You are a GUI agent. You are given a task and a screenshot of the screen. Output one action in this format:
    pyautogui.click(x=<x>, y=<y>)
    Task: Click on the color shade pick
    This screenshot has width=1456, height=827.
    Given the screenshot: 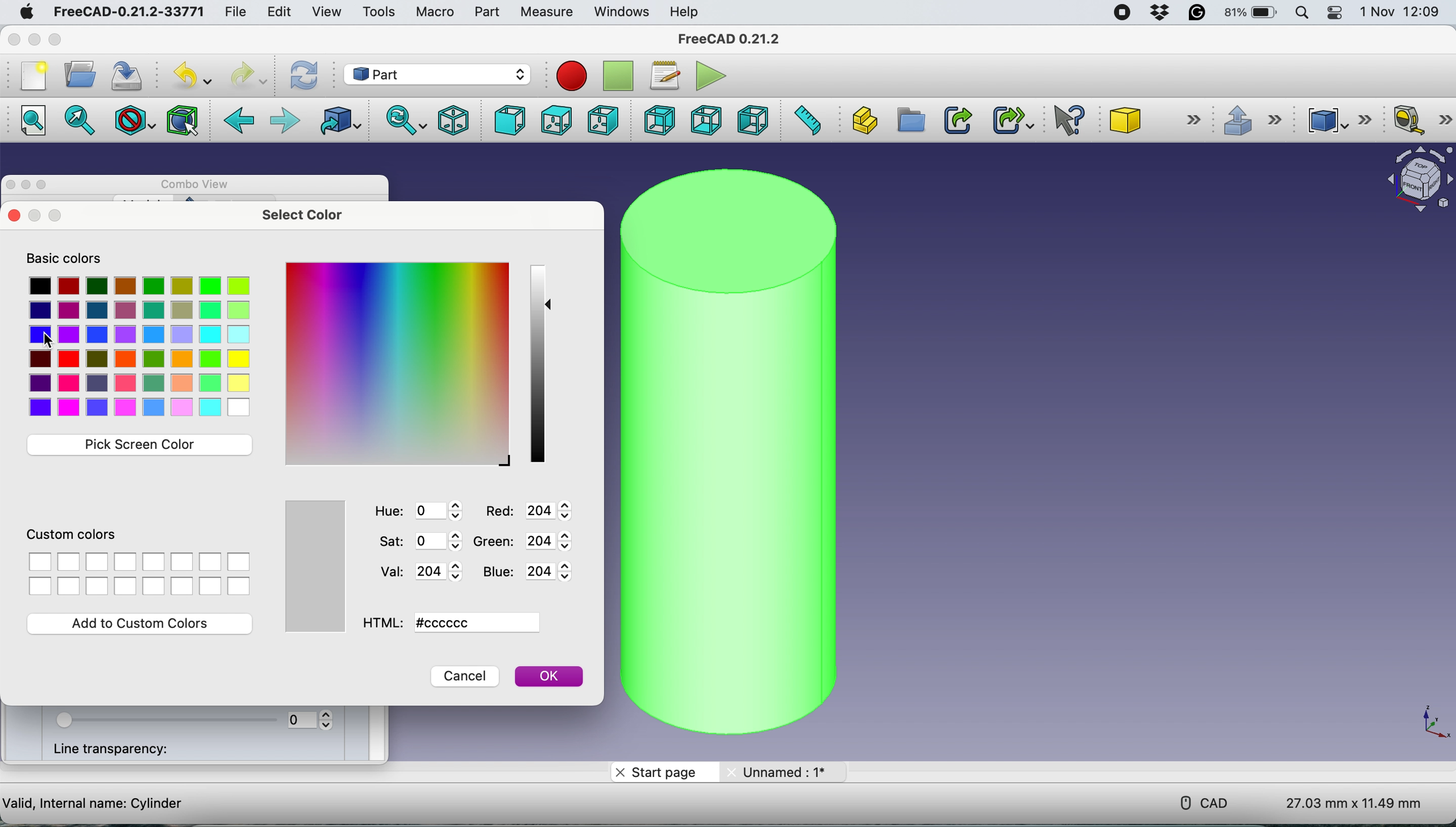 What is the action you would take?
    pyautogui.click(x=538, y=366)
    